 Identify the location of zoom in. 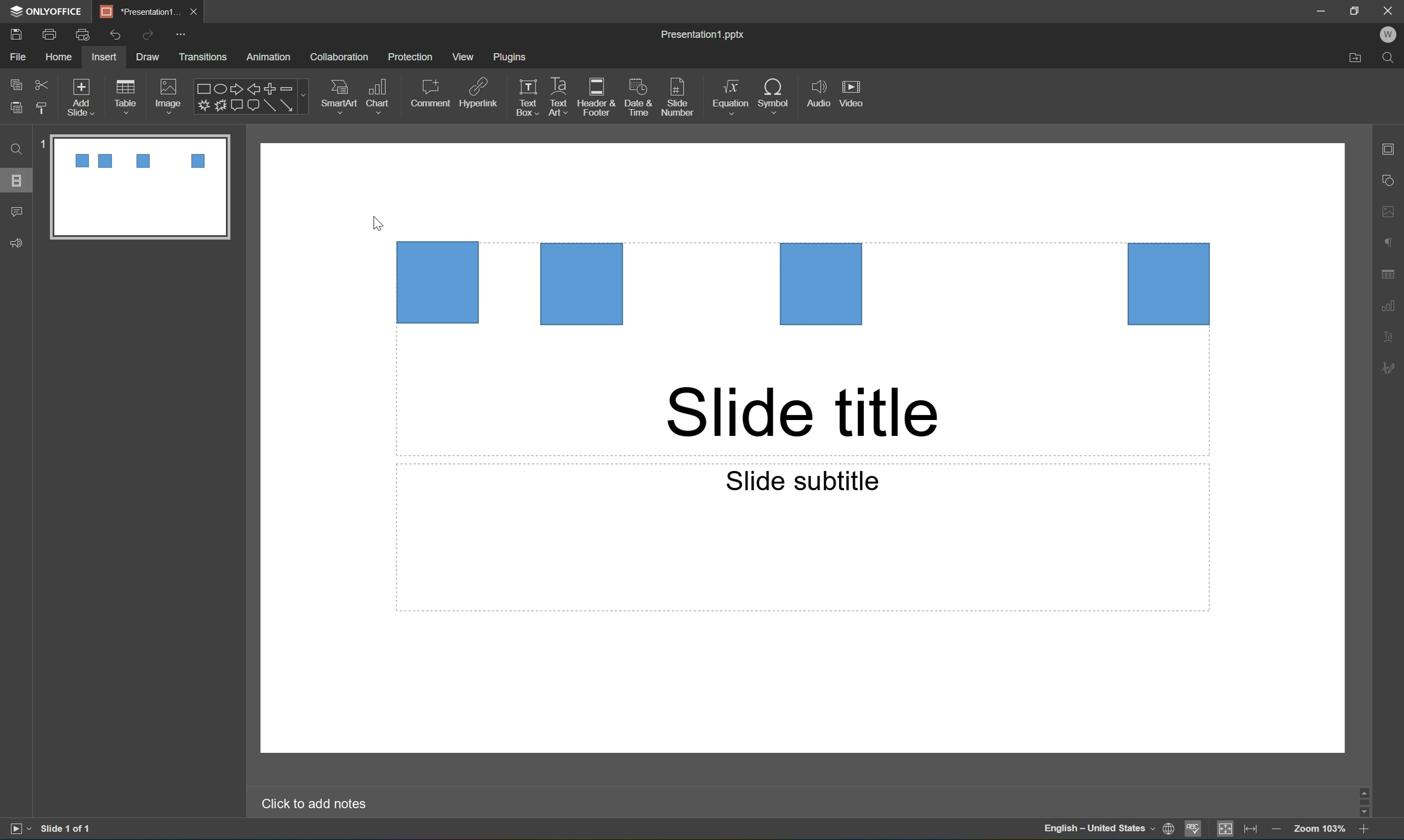
(1363, 832).